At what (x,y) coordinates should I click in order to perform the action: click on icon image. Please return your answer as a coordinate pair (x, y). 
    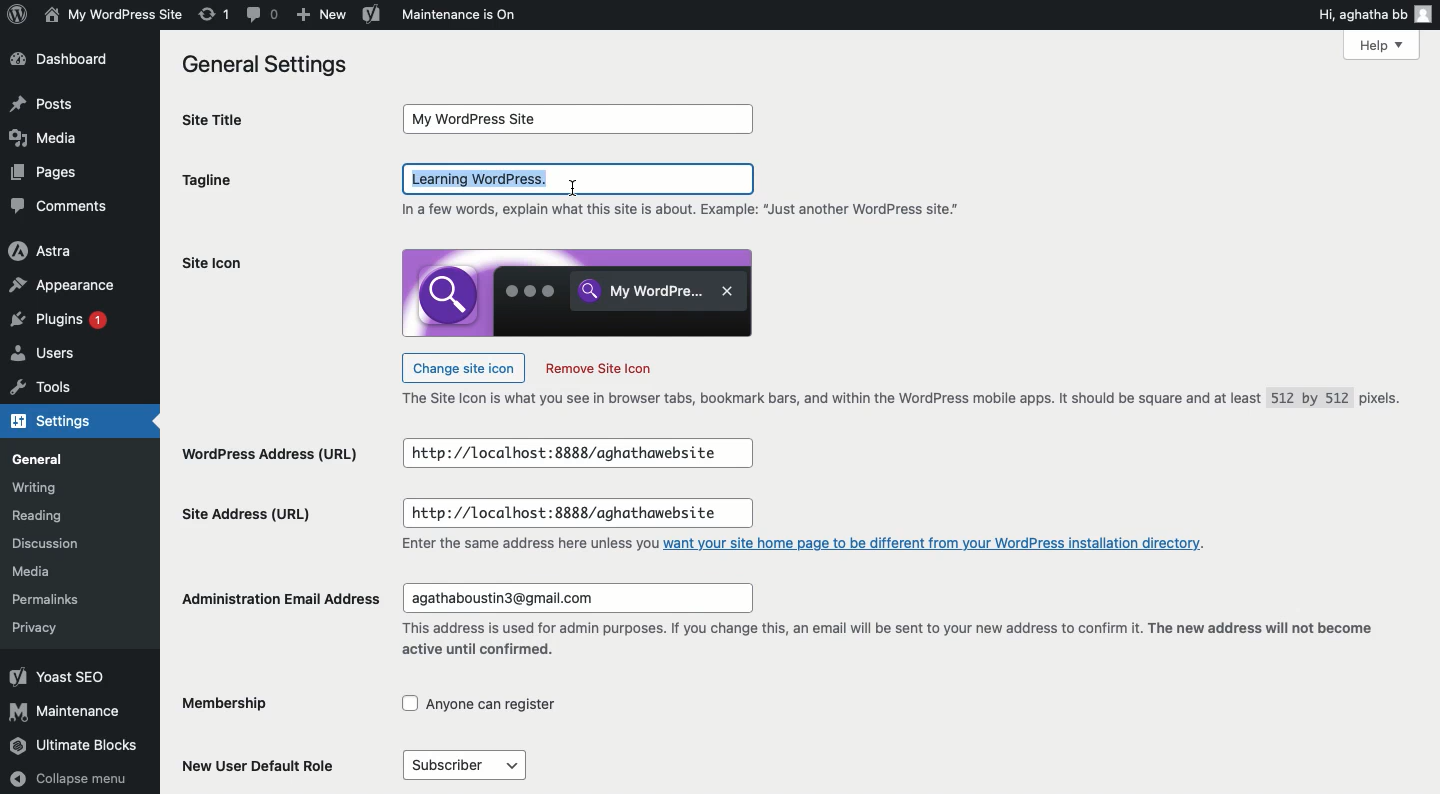
    Looking at the image, I should click on (577, 292).